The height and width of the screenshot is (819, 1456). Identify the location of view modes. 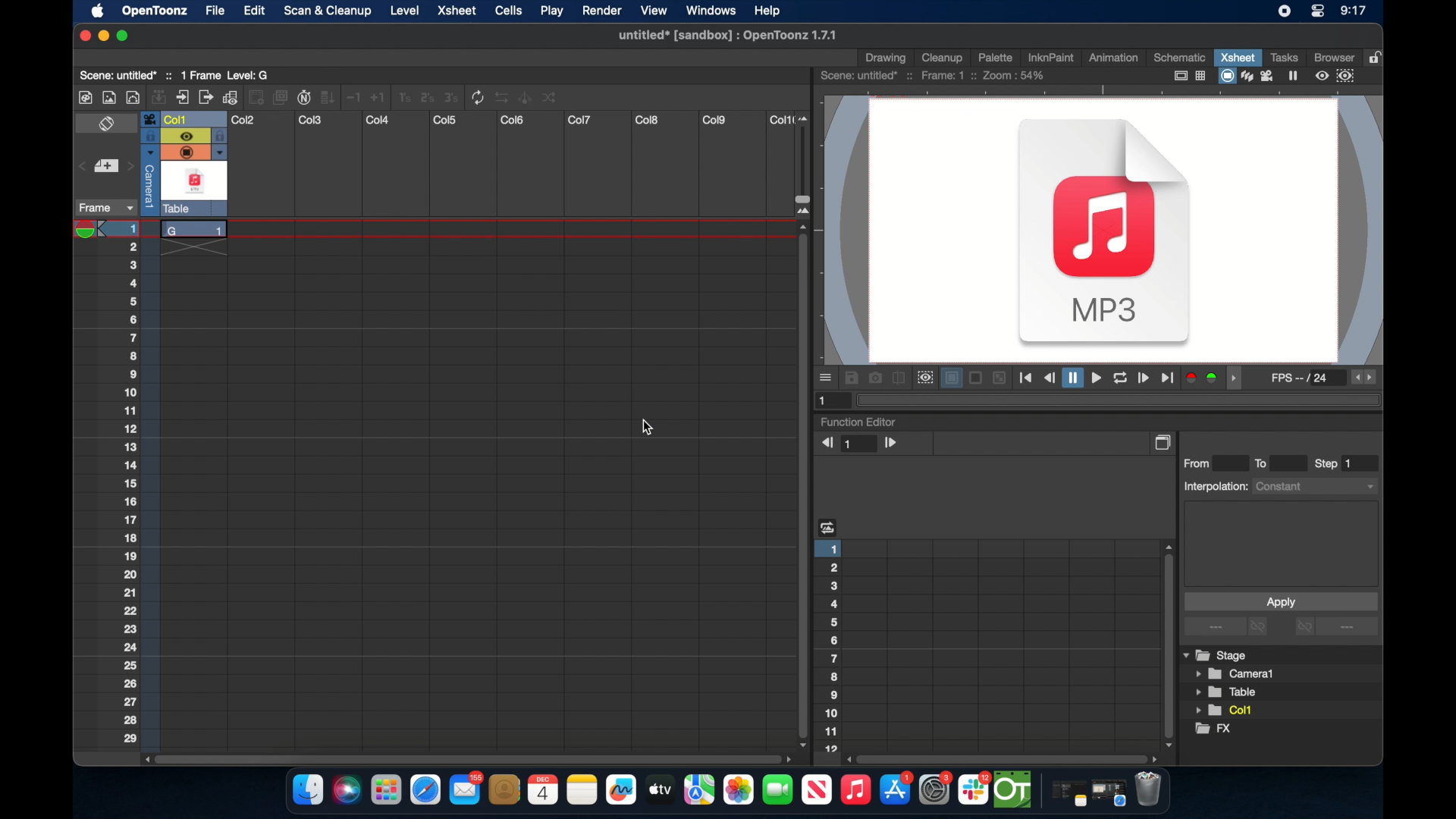
(1260, 76).